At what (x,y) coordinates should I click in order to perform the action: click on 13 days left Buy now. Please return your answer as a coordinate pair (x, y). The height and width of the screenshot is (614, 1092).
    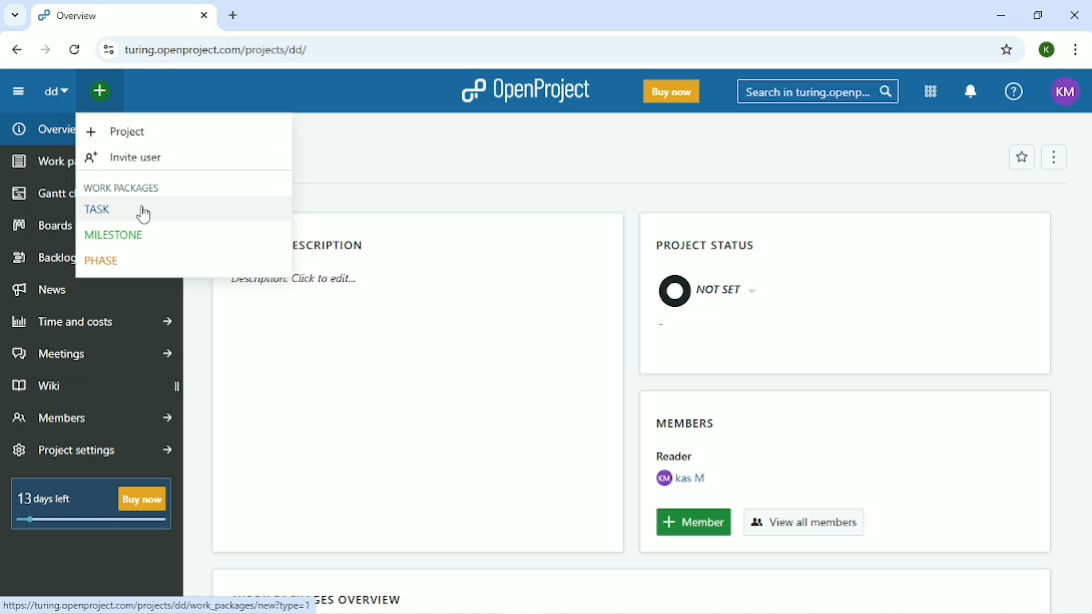
    Looking at the image, I should click on (92, 503).